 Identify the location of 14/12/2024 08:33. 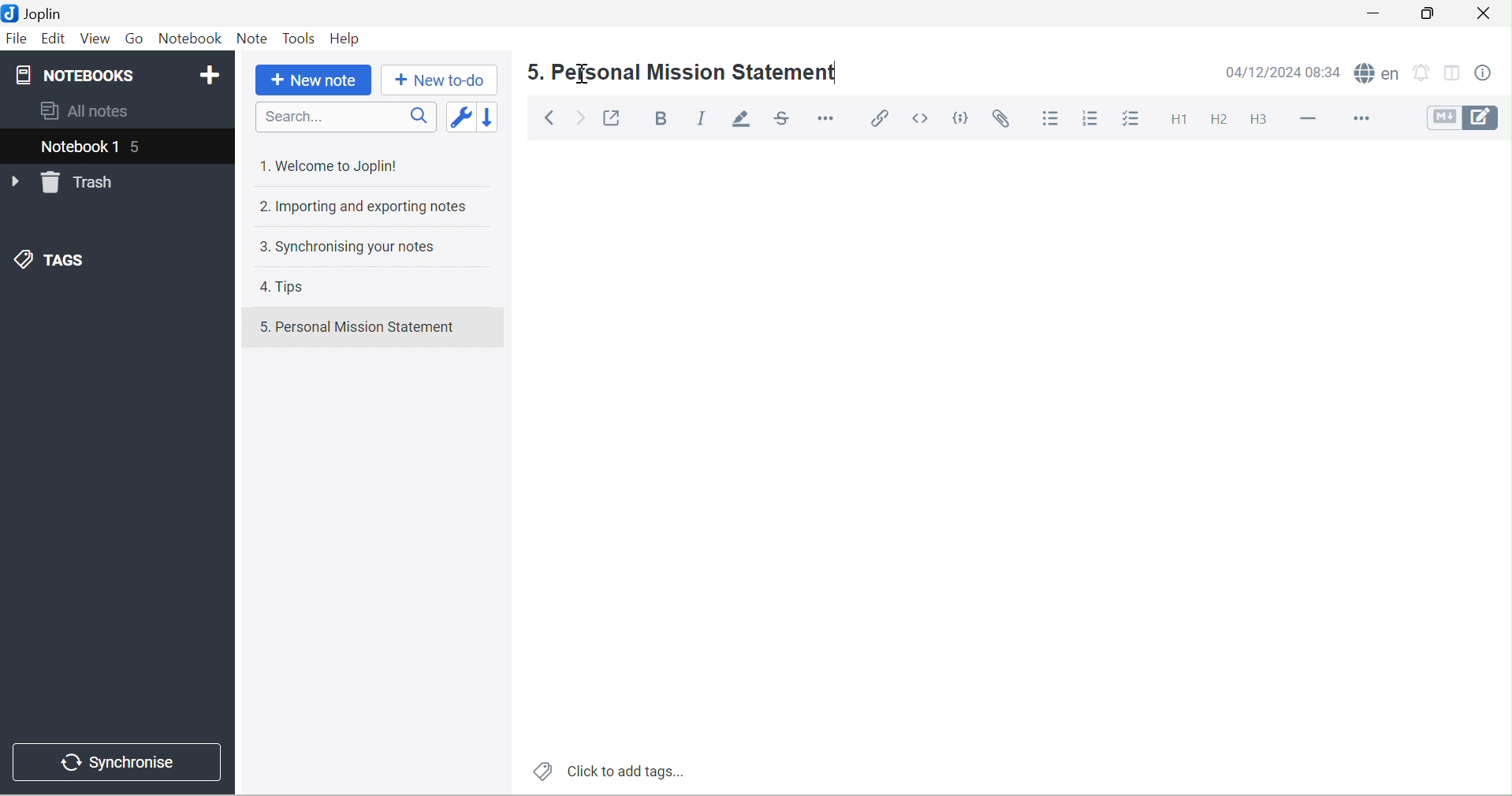
(1282, 73).